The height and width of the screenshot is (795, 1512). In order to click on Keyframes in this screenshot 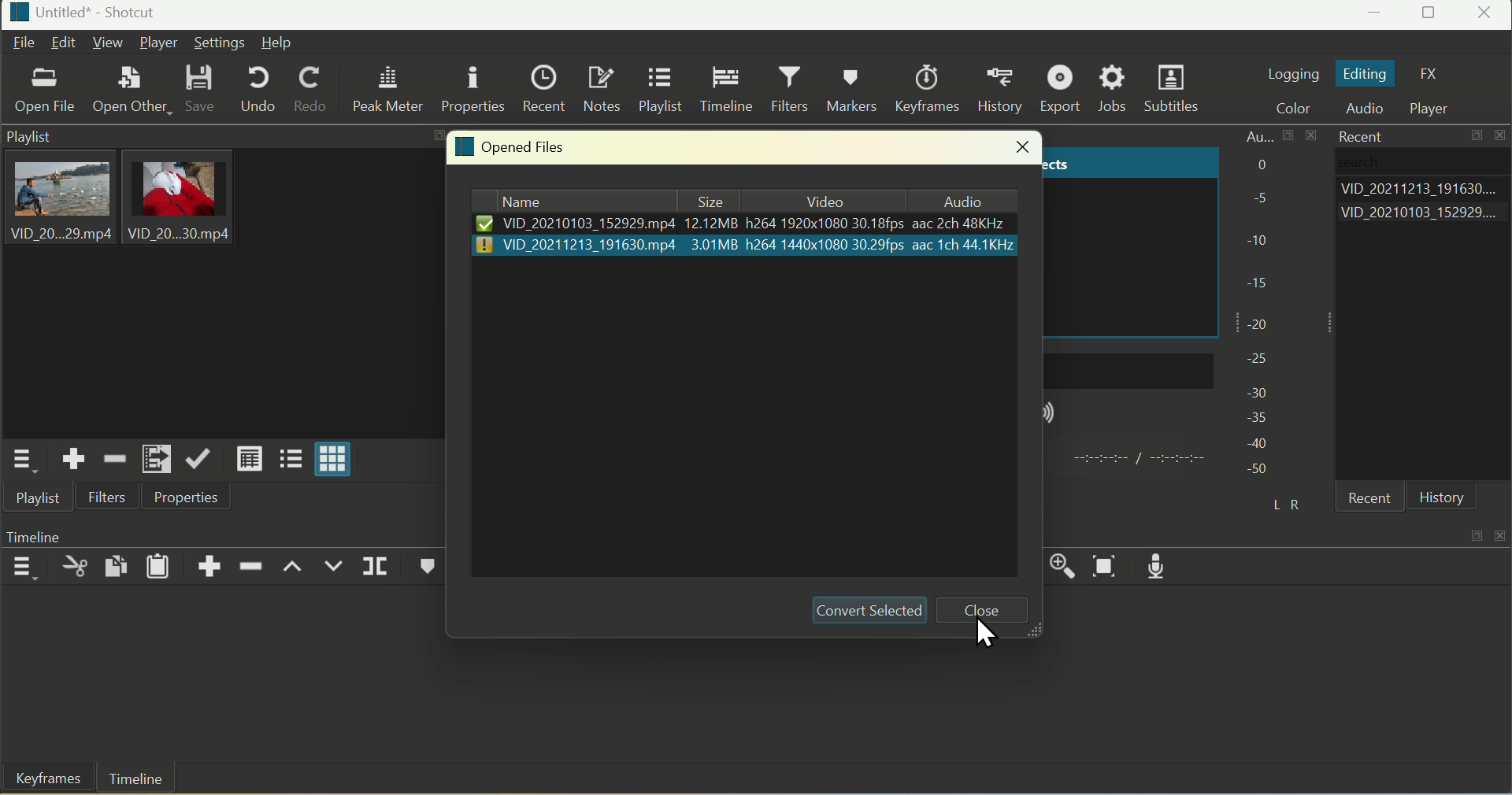, I will do `click(932, 88)`.